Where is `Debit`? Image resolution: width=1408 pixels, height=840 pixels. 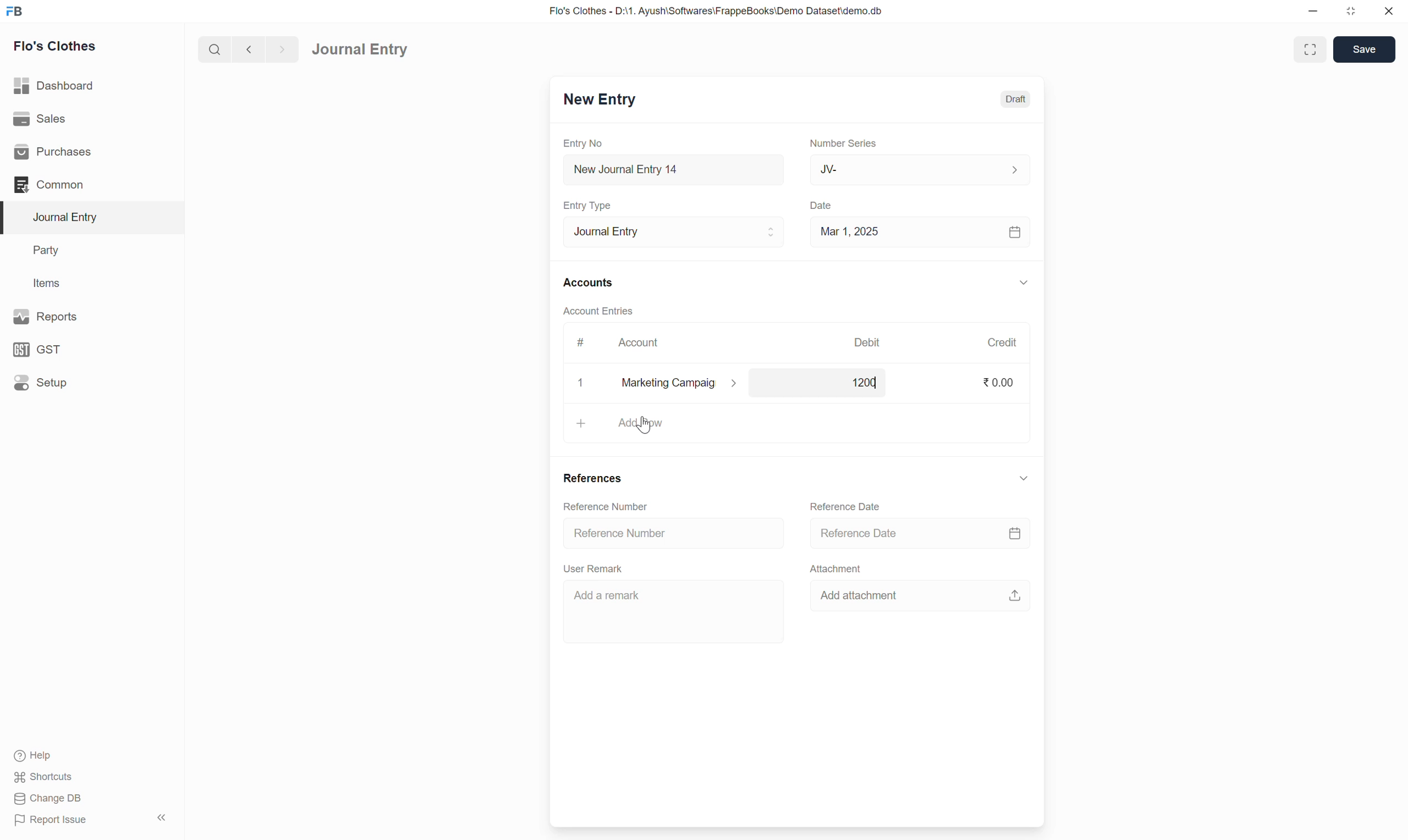
Debit is located at coordinates (867, 341).